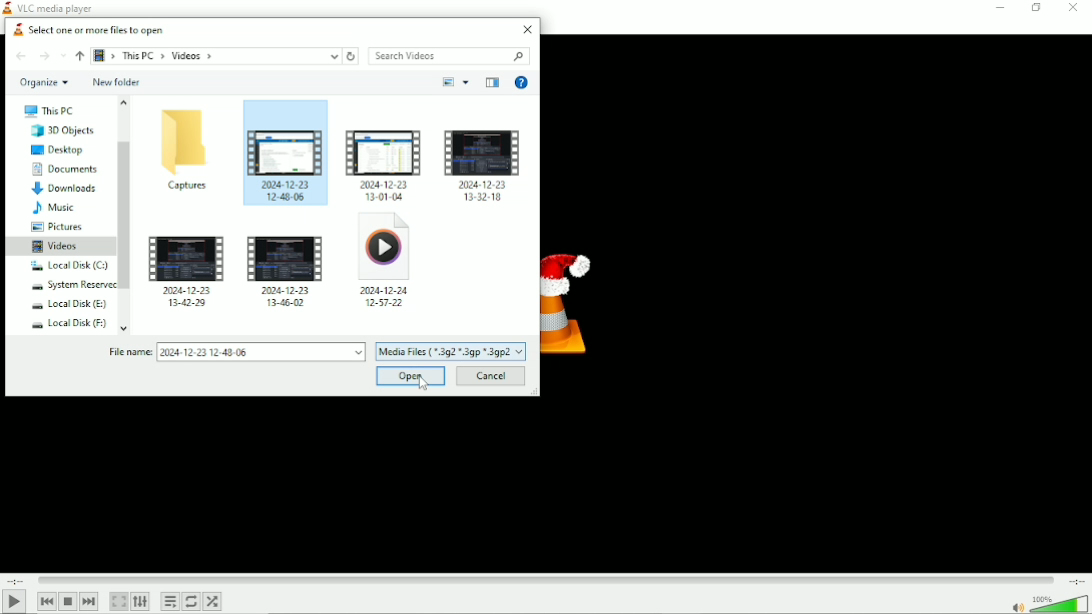 The height and width of the screenshot is (614, 1092). I want to click on video, so click(282, 163).